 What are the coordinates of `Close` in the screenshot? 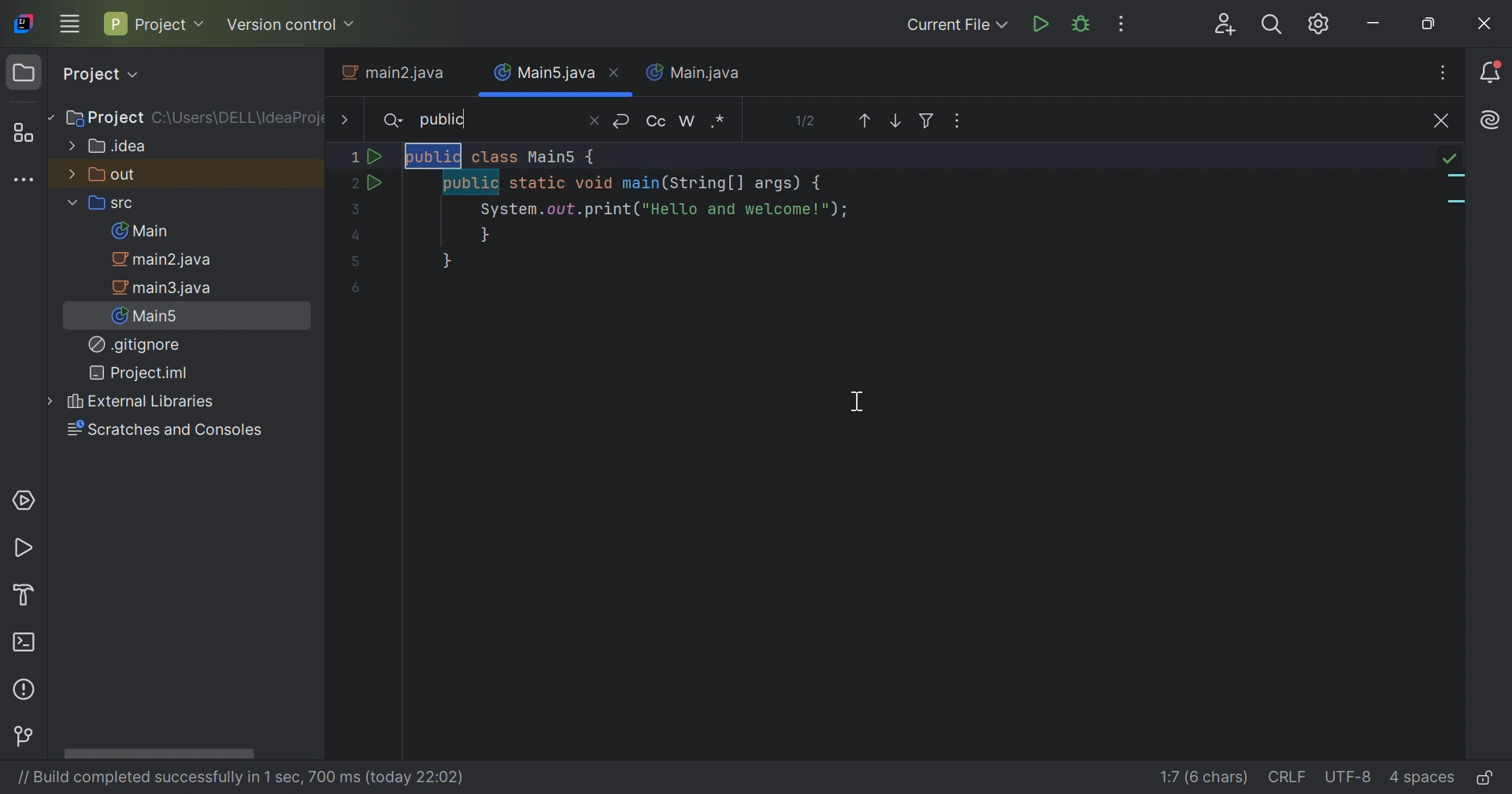 It's located at (617, 72).